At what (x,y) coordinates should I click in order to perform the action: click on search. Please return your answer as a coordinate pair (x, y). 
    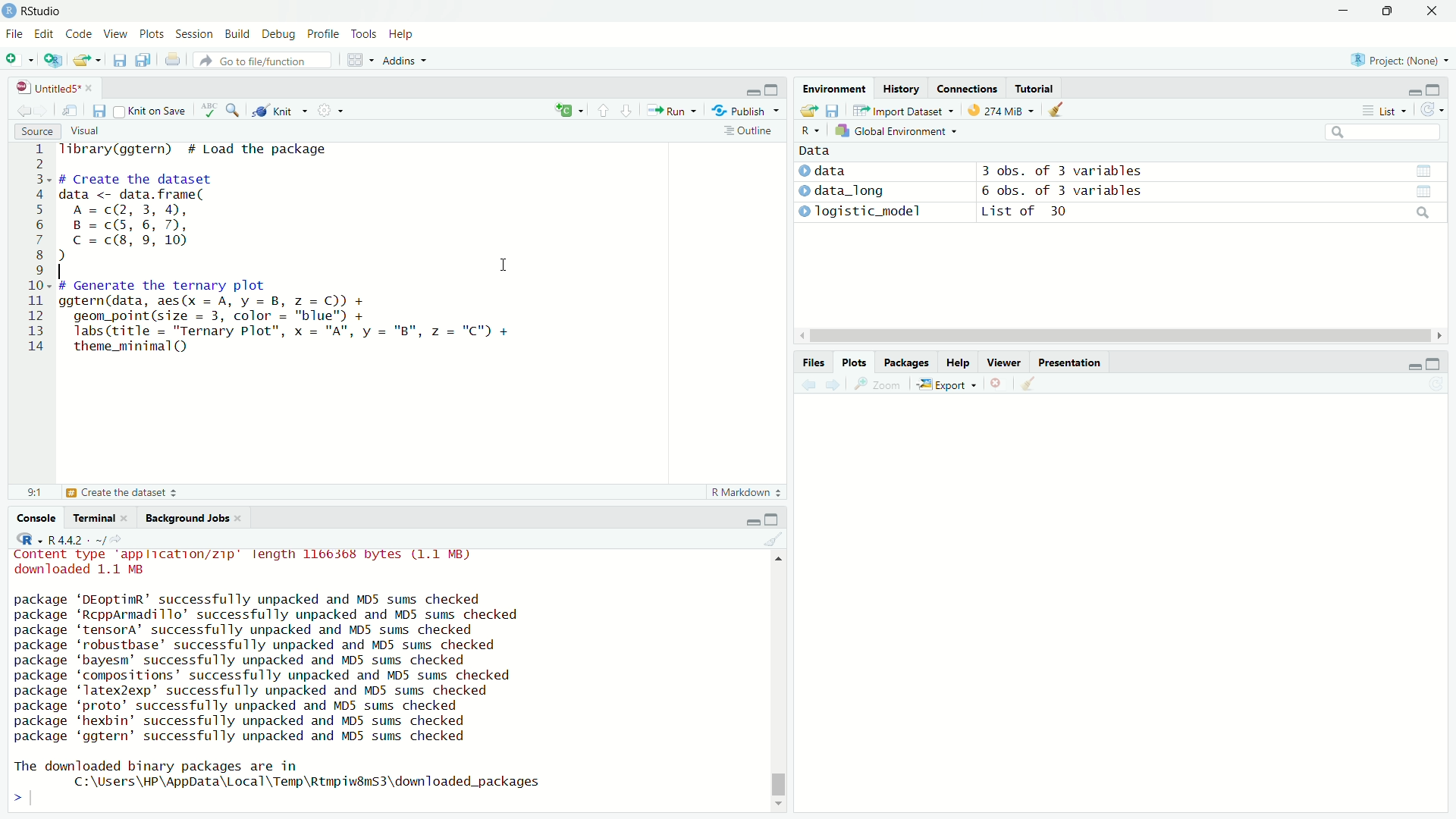
    Looking at the image, I should click on (236, 110).